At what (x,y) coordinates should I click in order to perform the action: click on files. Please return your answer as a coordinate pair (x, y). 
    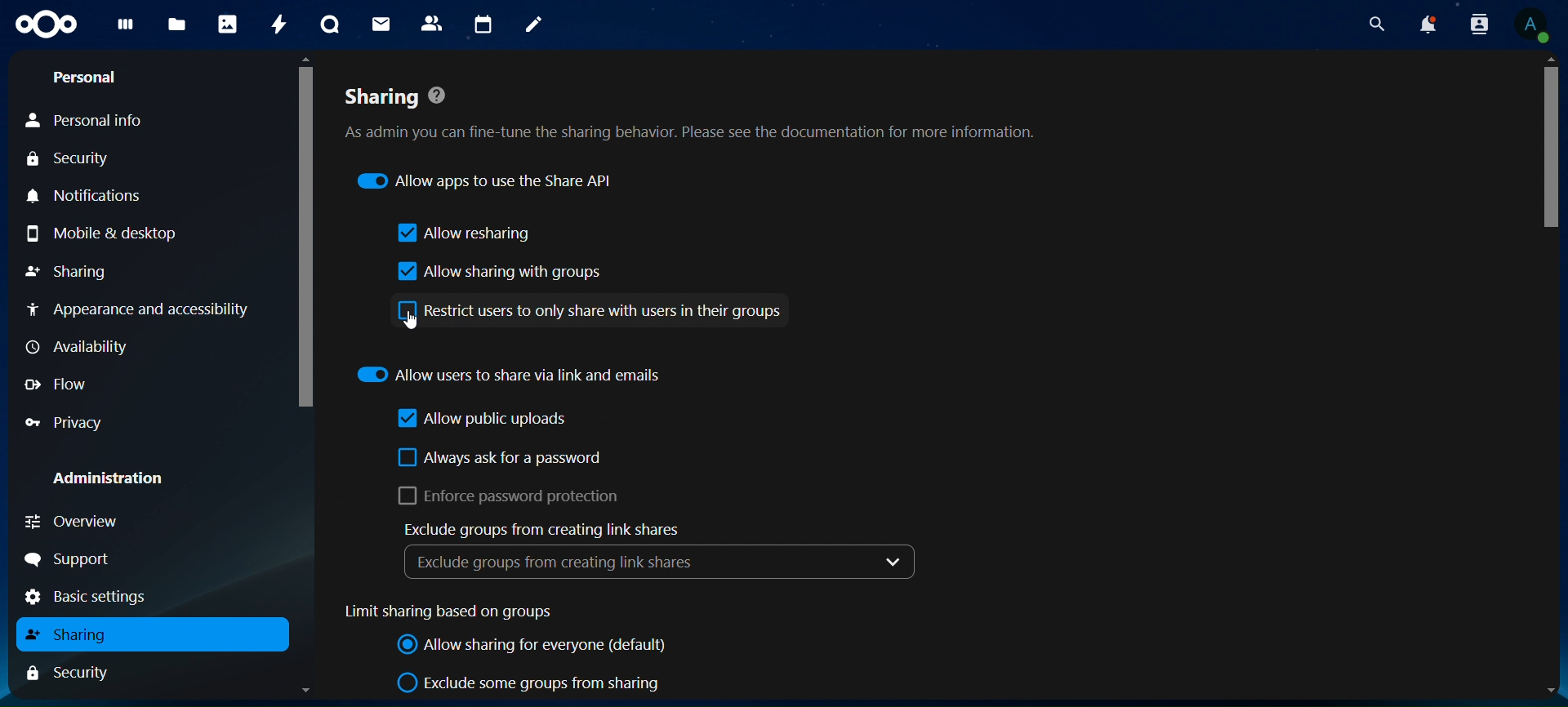
    Looking at the image, I should click on (176, 26).